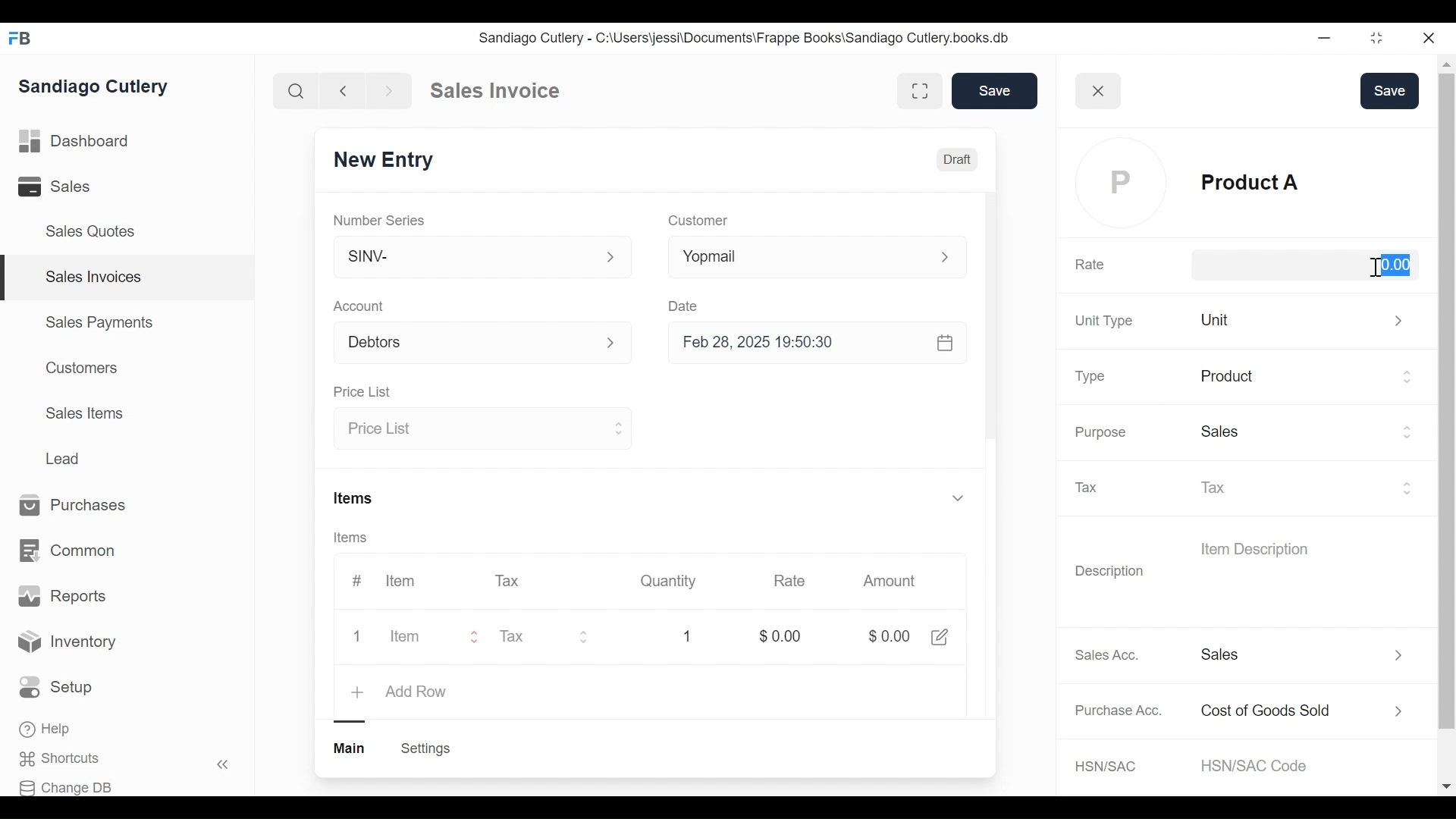 The image size is (1456, 819). I want to click on Create, so click(425, 749).